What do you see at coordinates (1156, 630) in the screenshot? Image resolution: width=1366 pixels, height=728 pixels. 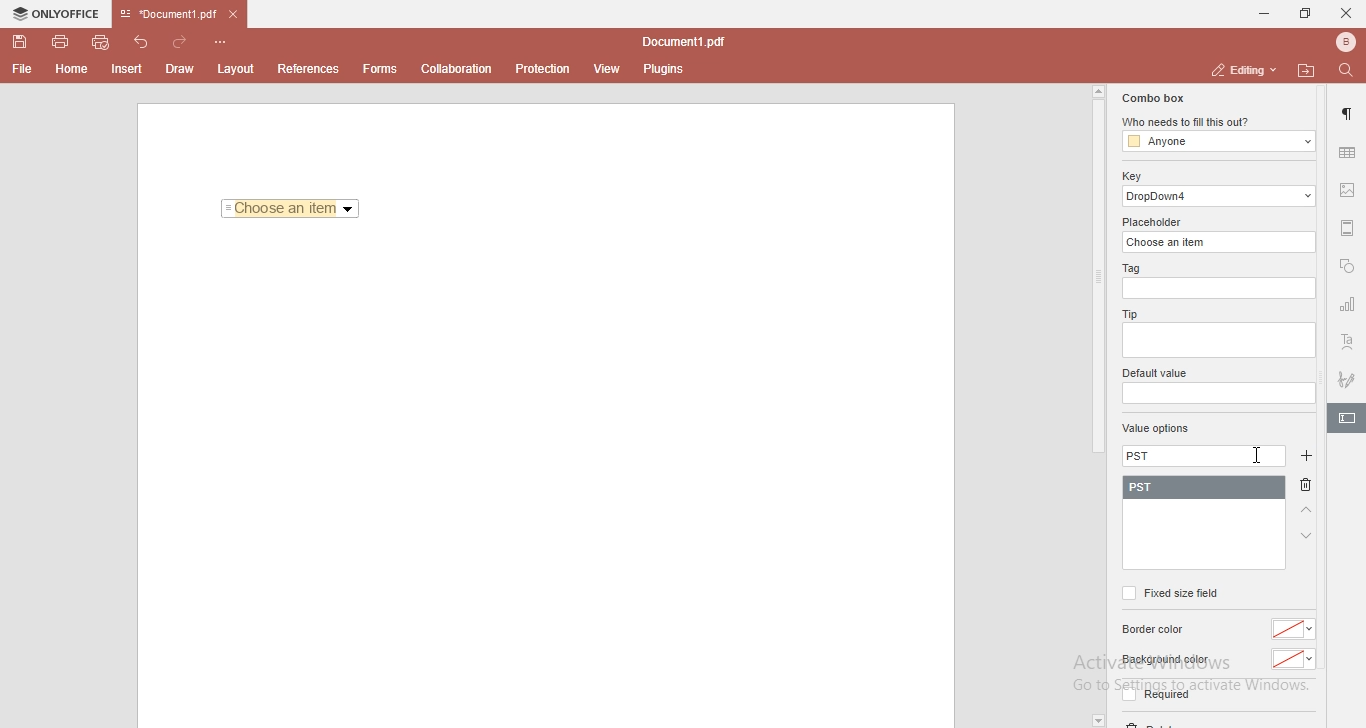 I see `border color` at bounding box center [1156, 630].